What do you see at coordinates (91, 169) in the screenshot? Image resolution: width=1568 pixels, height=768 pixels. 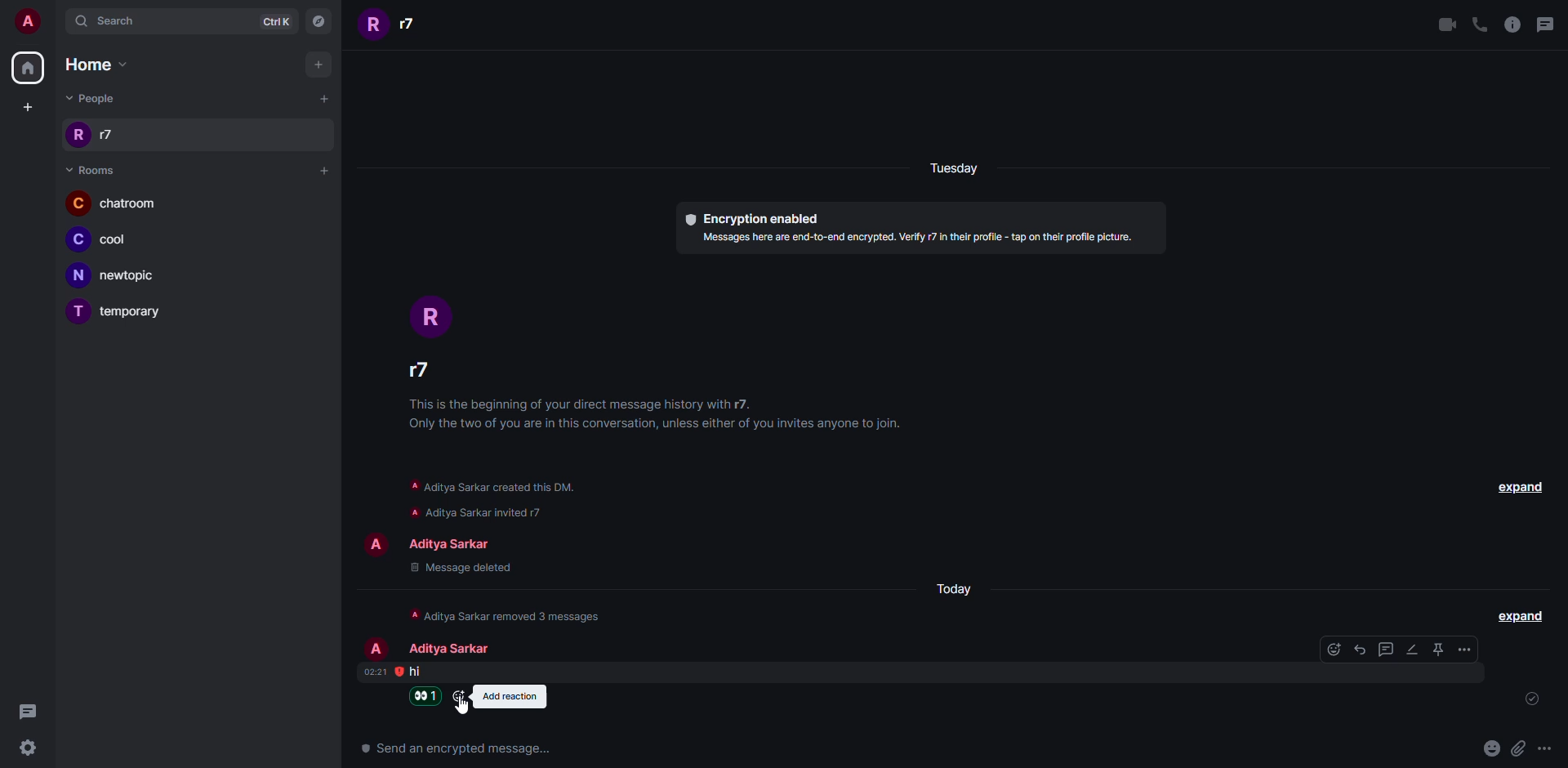 I see `room` at bounding box center [91, 169].